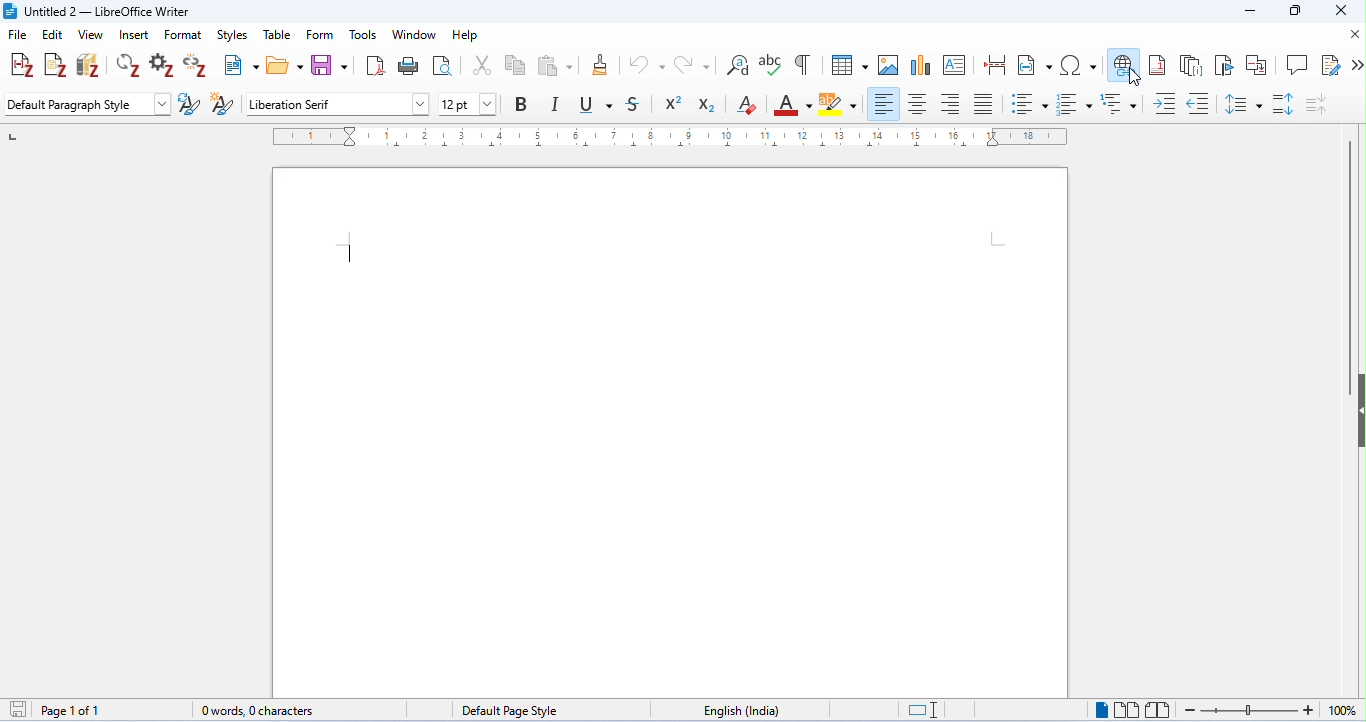 The height and width of the screenshot is (722, 1366). I want to click on insert special characters, so click(1079, 63).